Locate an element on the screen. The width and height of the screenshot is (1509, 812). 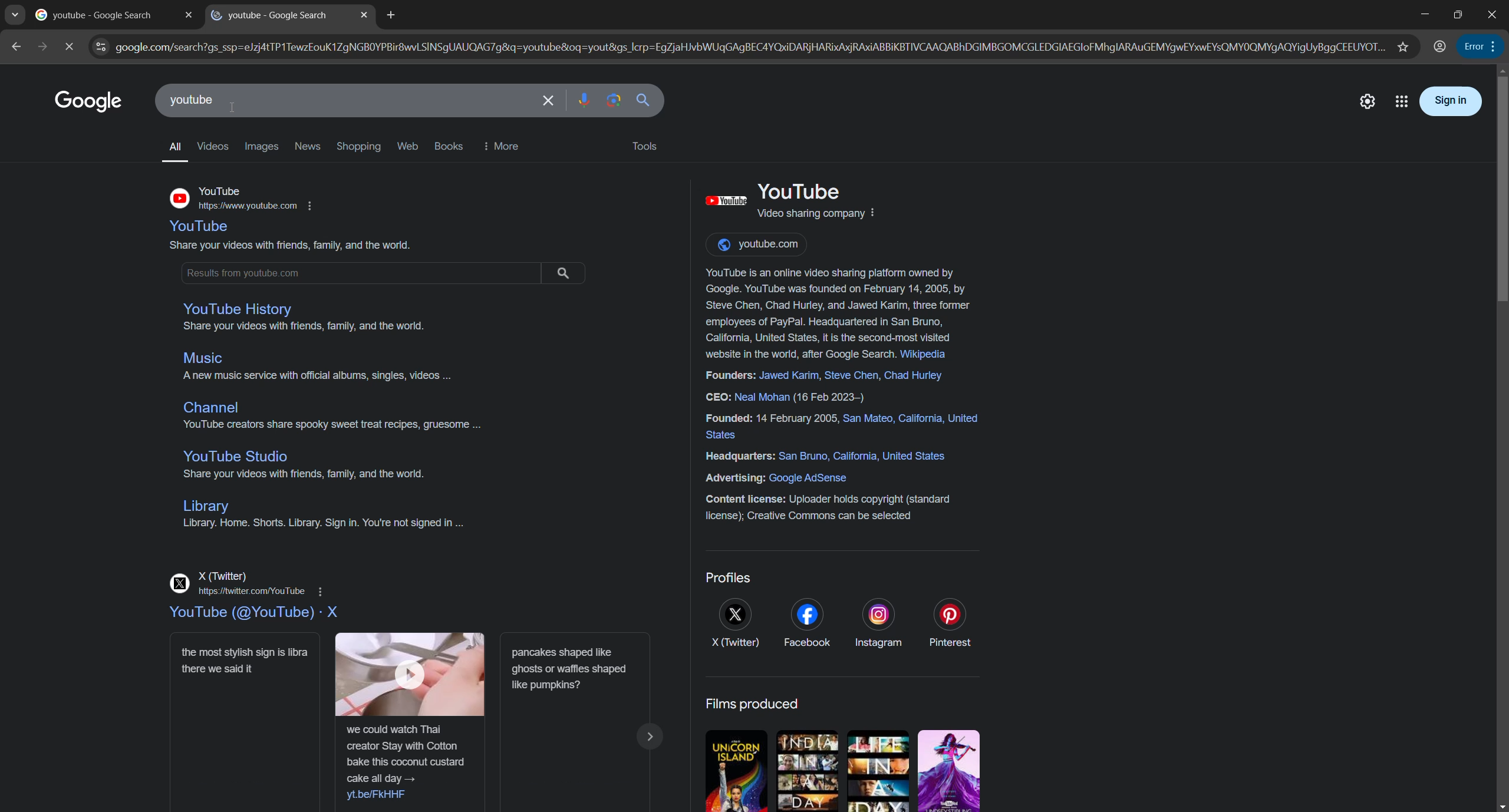
favorite is located at coordinates (1404, 44).